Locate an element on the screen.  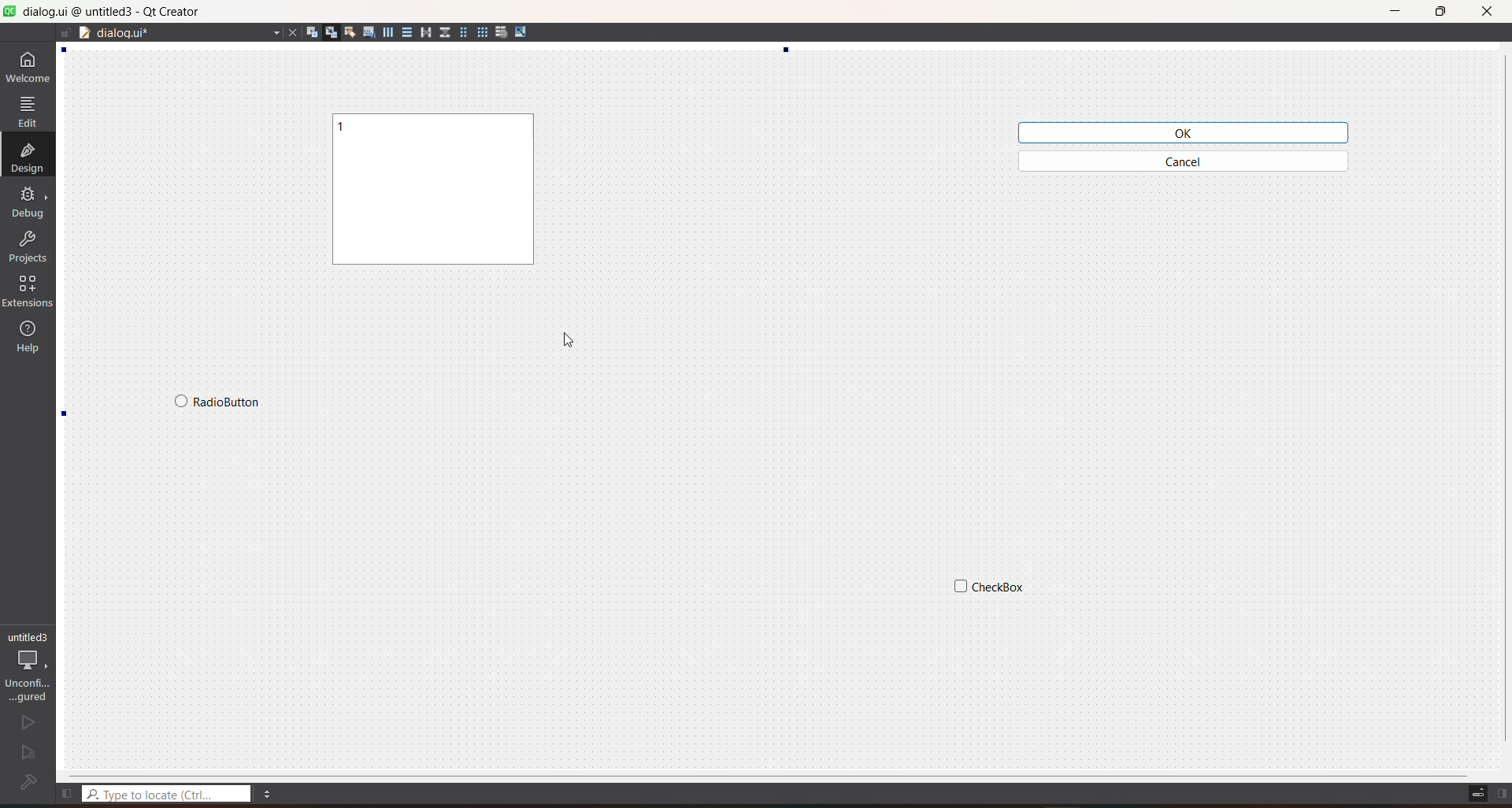
toggle progress details is located at coordinates (1477, 792).